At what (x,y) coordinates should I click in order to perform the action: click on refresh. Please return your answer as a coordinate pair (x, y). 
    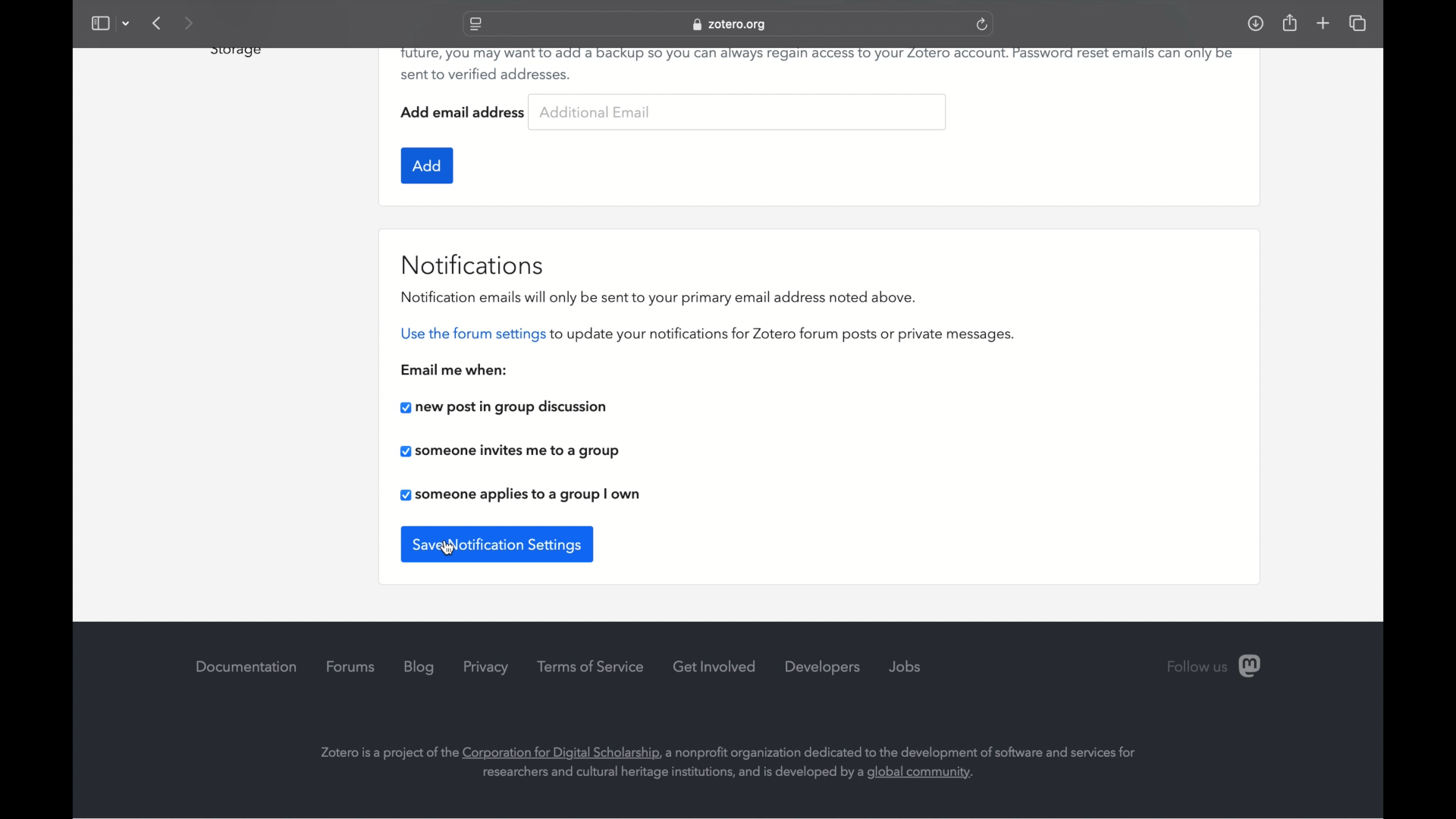
    Looking at the image, I should click on (983, 24).